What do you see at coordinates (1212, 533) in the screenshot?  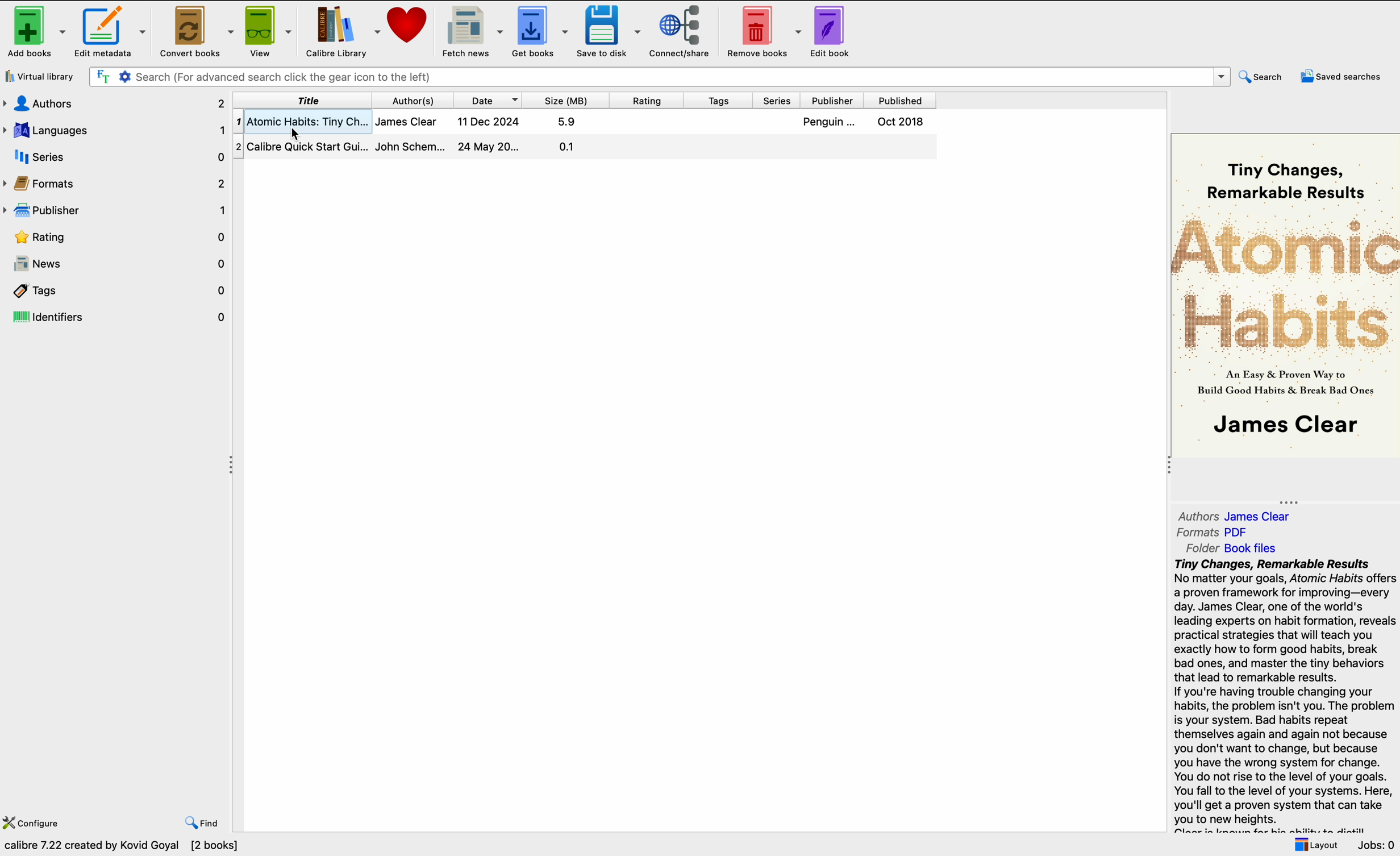 I see `formats PDF` at bounding box center [1212, 533].